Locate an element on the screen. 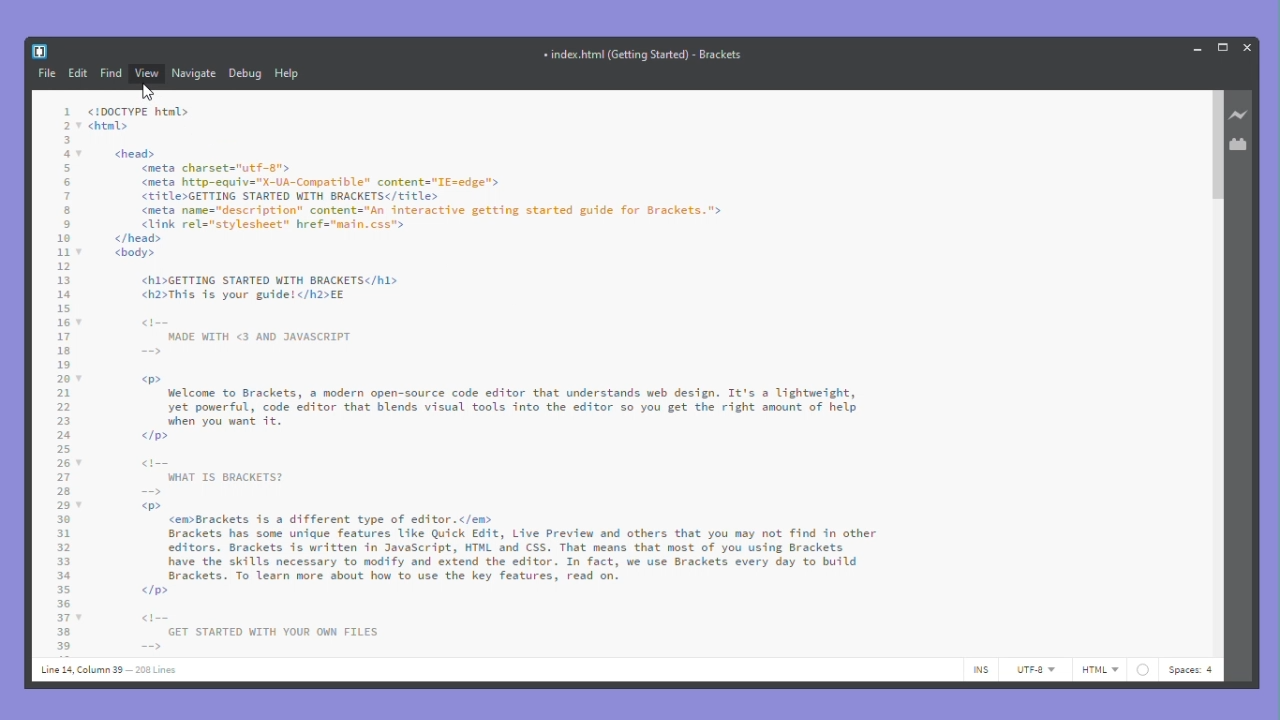 This screenshot has height=720, width=1280. 12 is located at coordinates (63, 266).